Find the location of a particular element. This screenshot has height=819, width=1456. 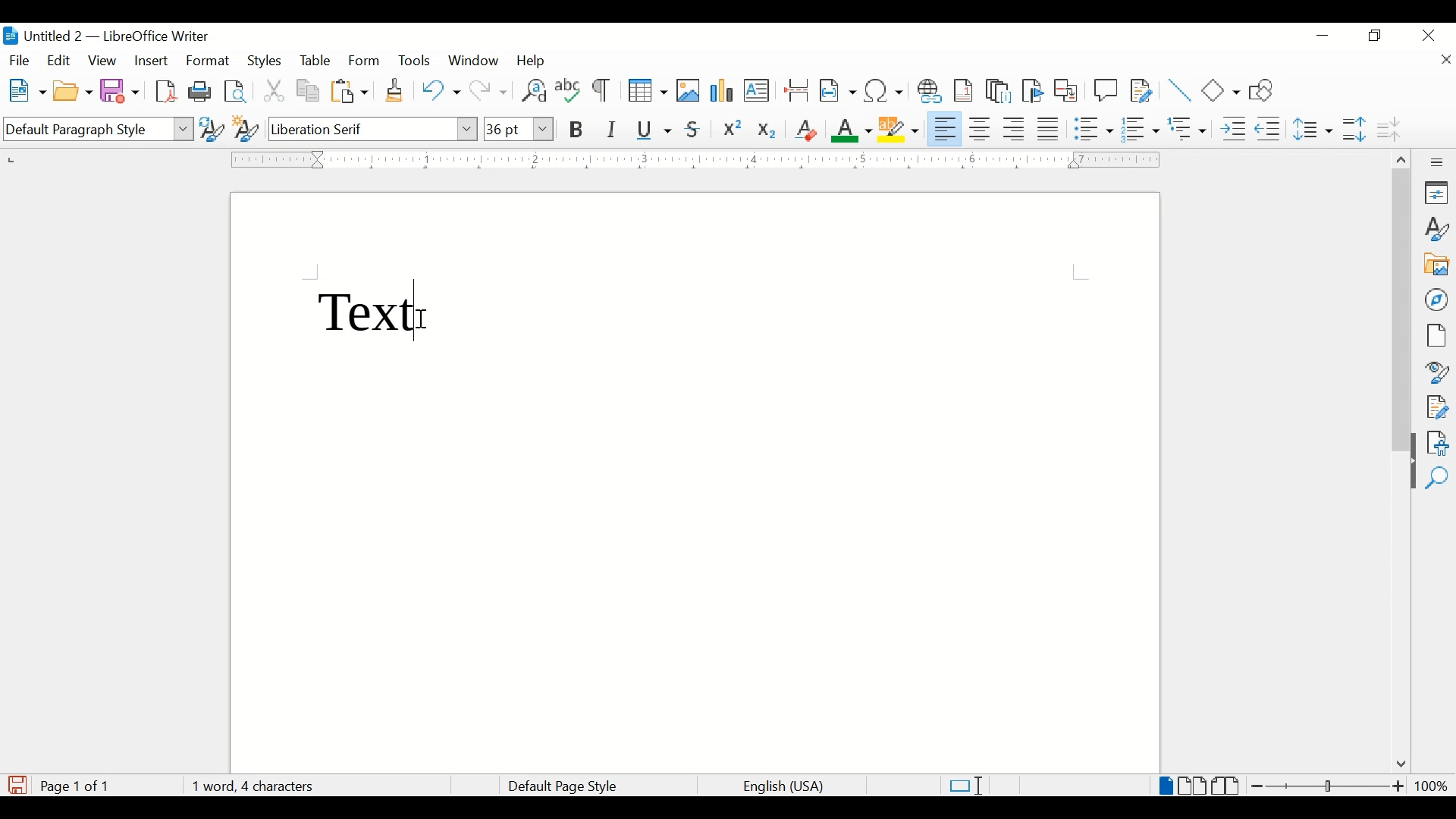

format is located at coordinates (209, 61).